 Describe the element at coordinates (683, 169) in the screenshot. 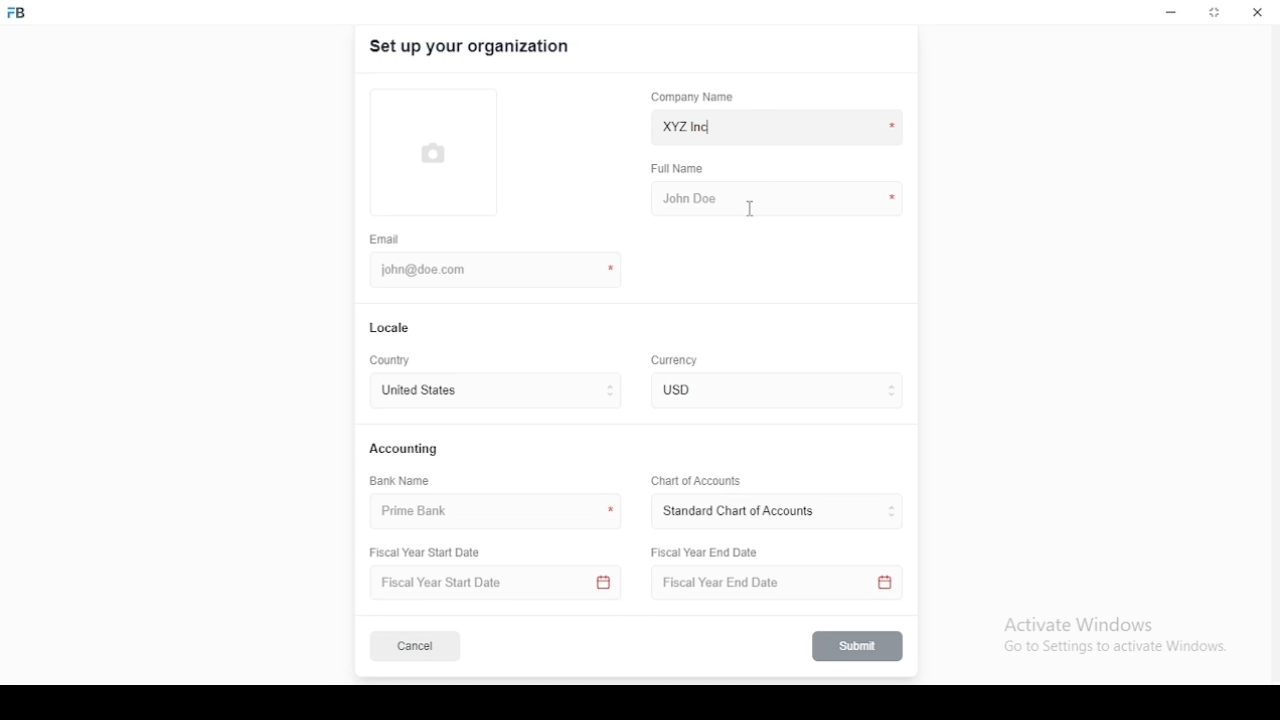

I see `full name` at that location.